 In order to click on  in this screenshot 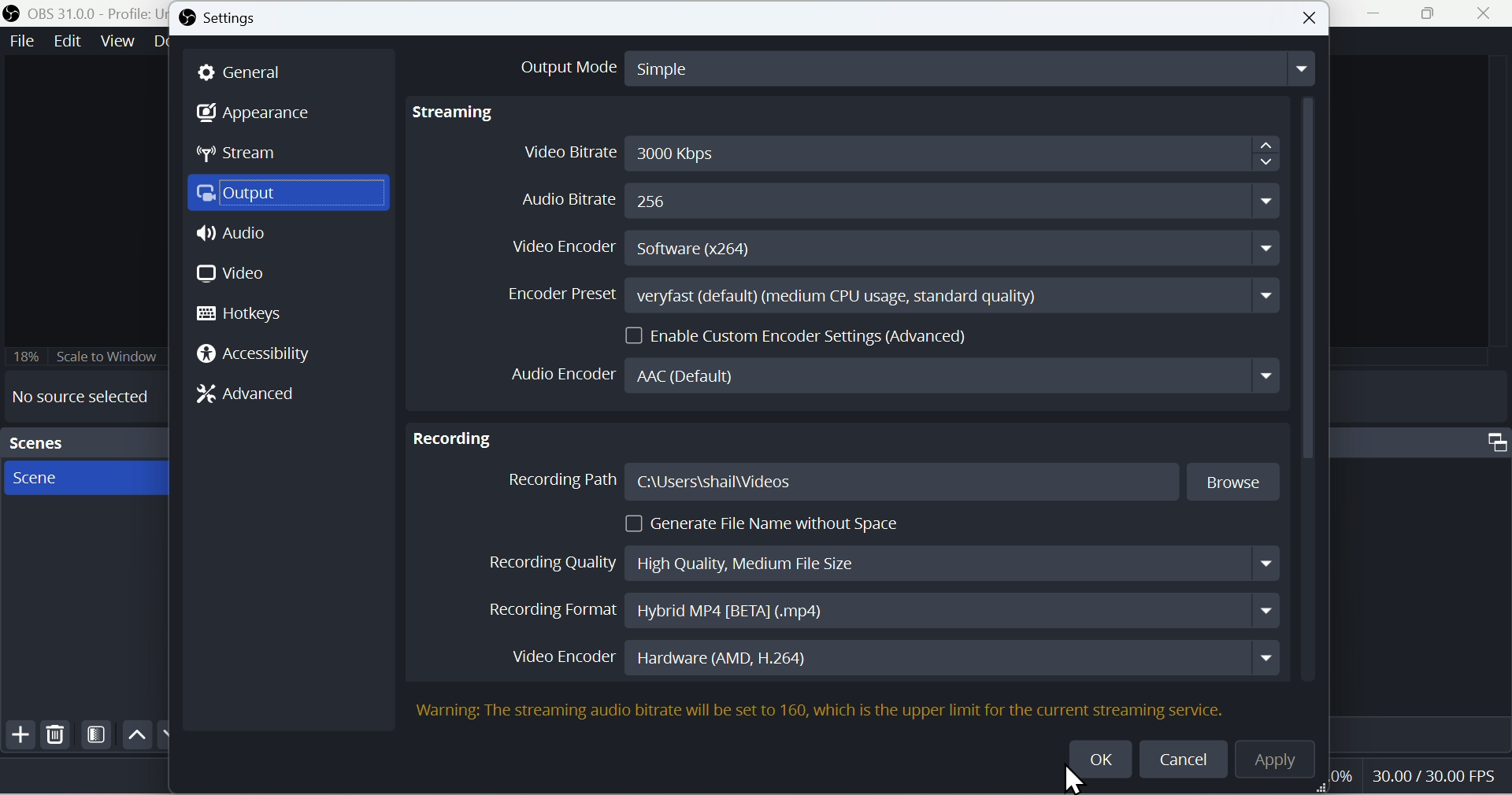, I will do `click(1311, 18)`.